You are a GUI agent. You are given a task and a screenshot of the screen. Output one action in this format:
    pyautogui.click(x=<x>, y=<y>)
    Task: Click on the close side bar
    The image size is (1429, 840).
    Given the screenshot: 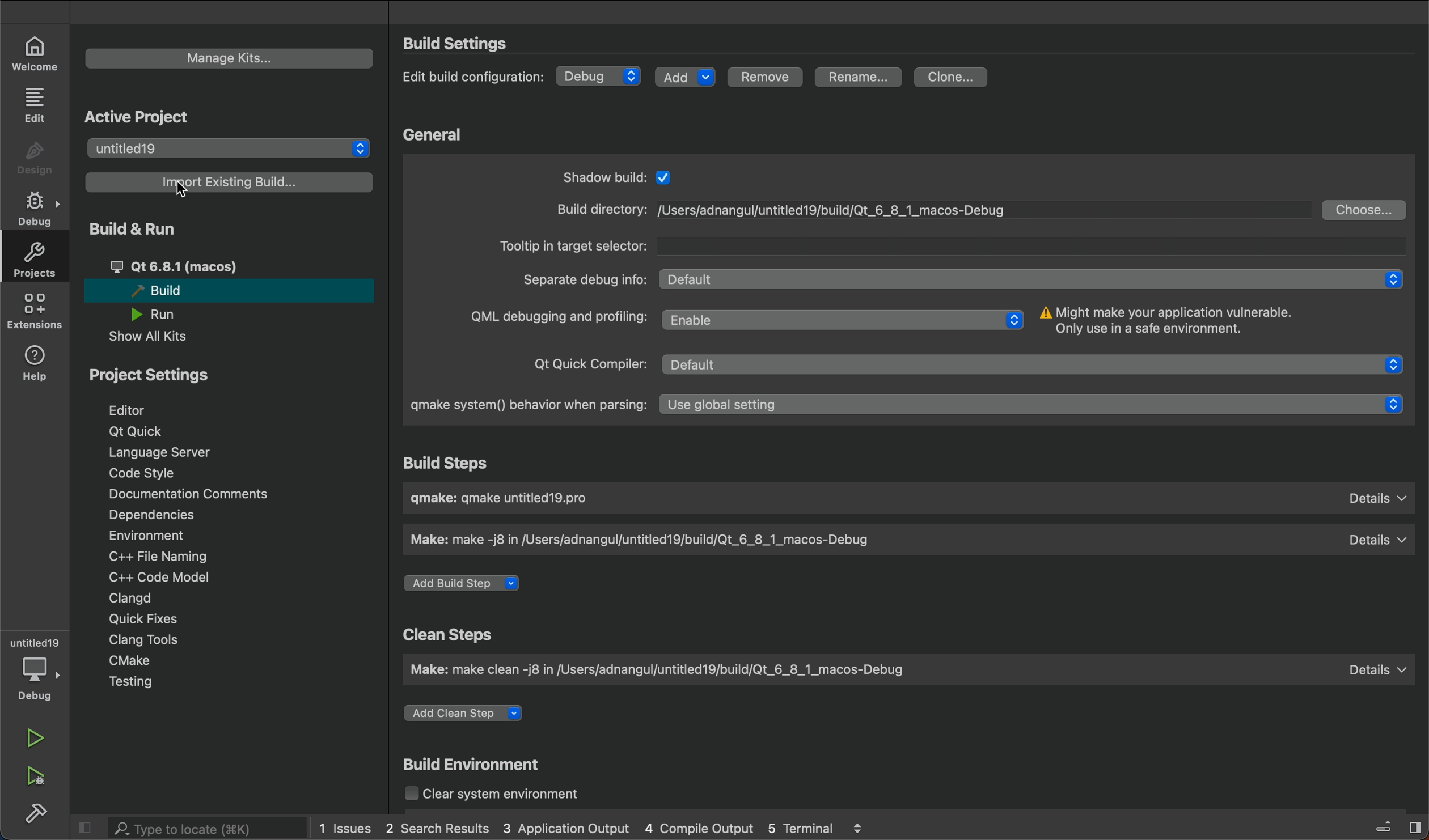 What is the action you would take?
    pyautogui.click(x=1387, y=825)
    